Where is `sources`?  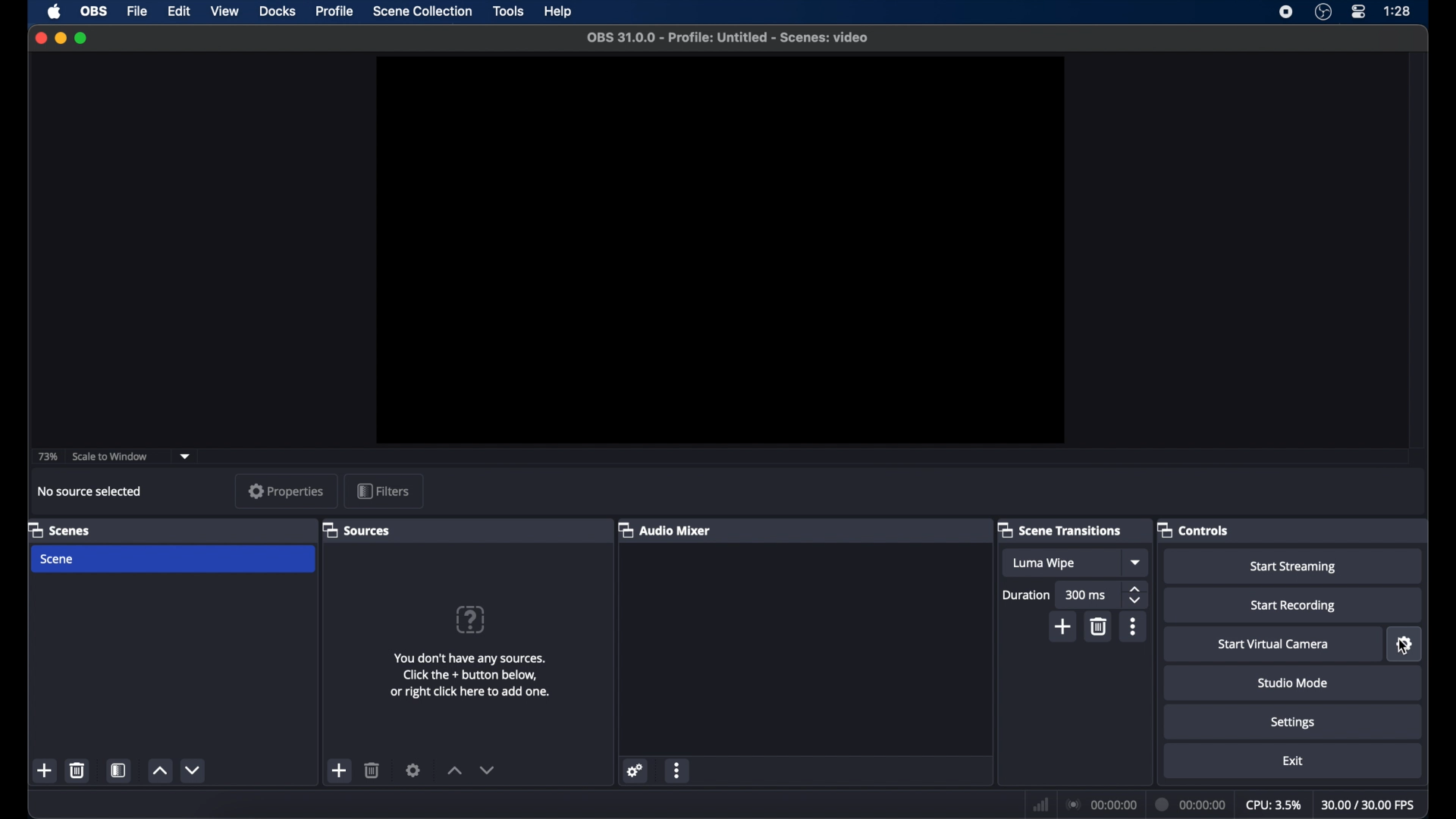
sources is located at coordinates (359, 531).